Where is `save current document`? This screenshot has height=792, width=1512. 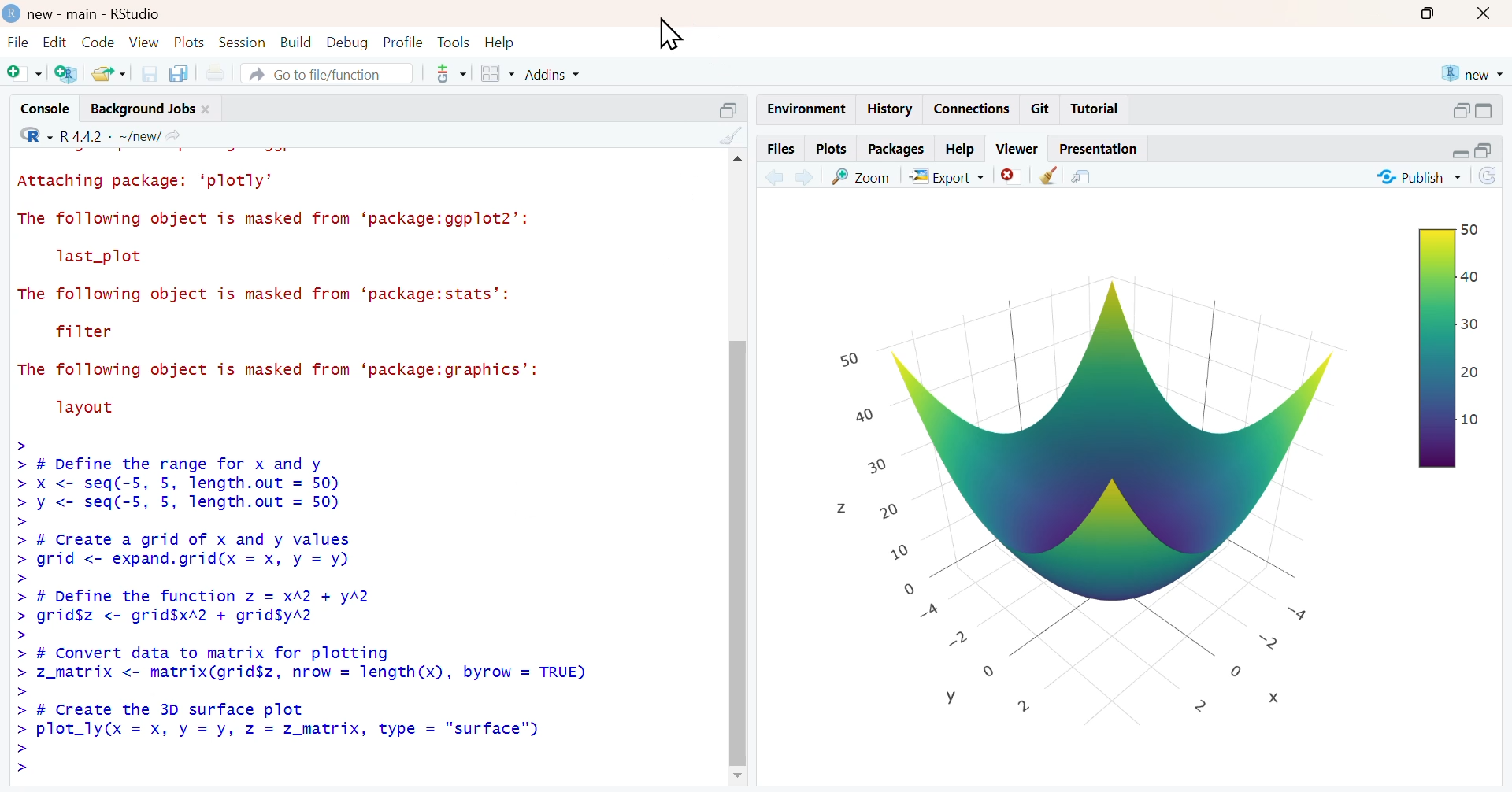
save current document is located at coordinates (149, 73).